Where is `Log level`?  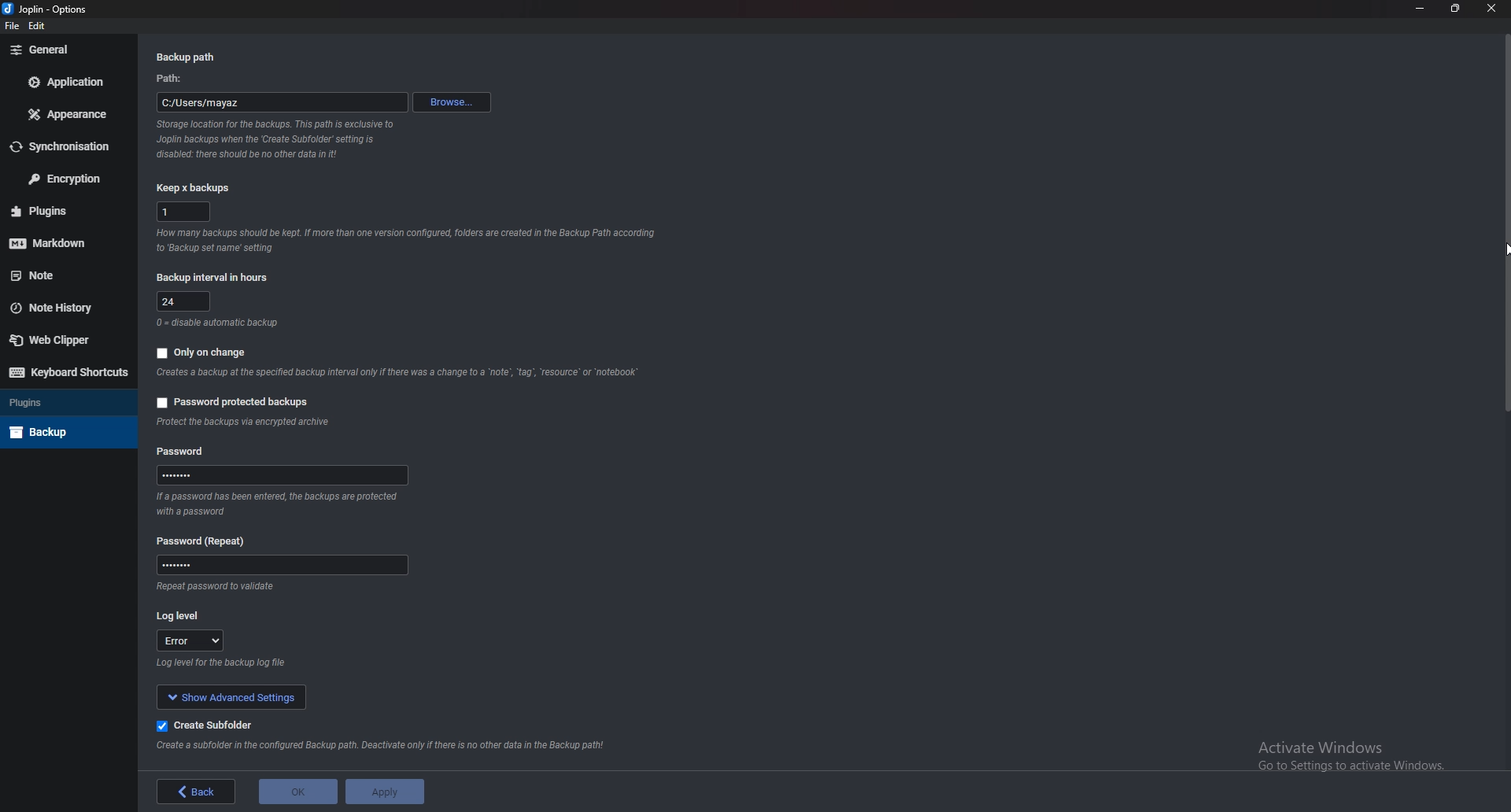
Log level is located at coordinates (186, 617).